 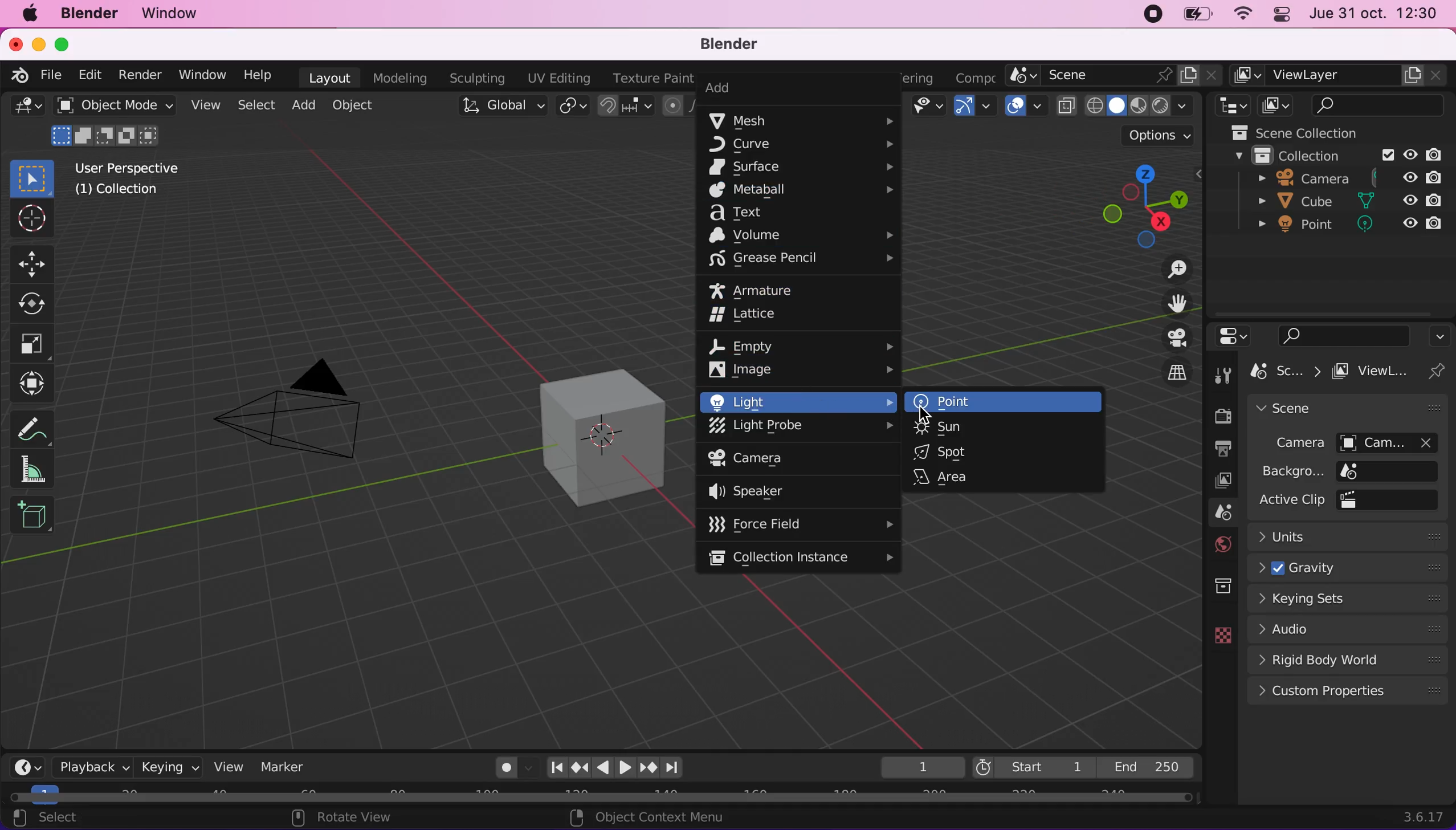 What do you see at coordinates (91, 15) in the screenshot?
I see `blender` at bounding box center [91, 15].